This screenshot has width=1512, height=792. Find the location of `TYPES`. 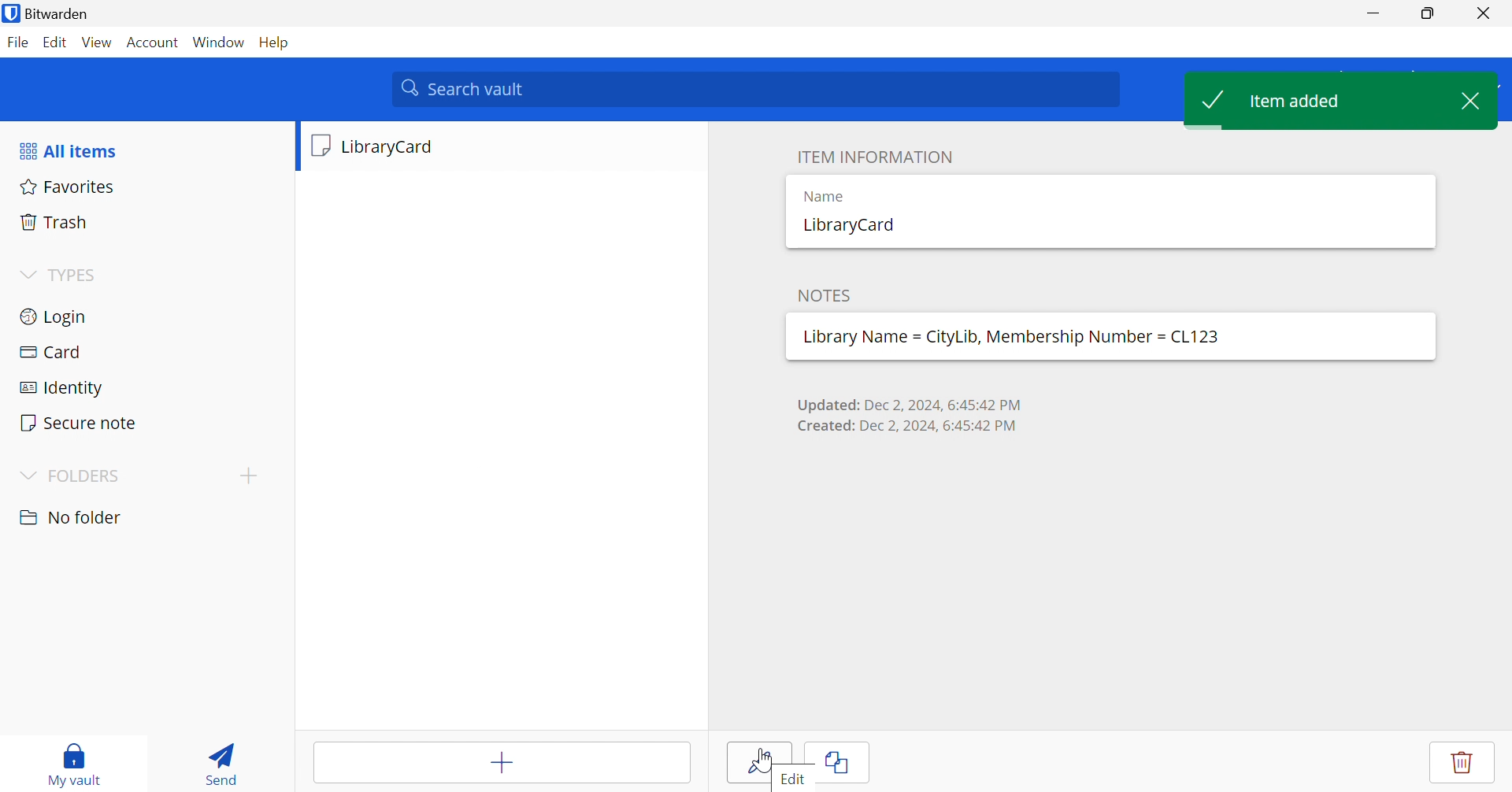

TYPES is located at coordinates (63, 275).